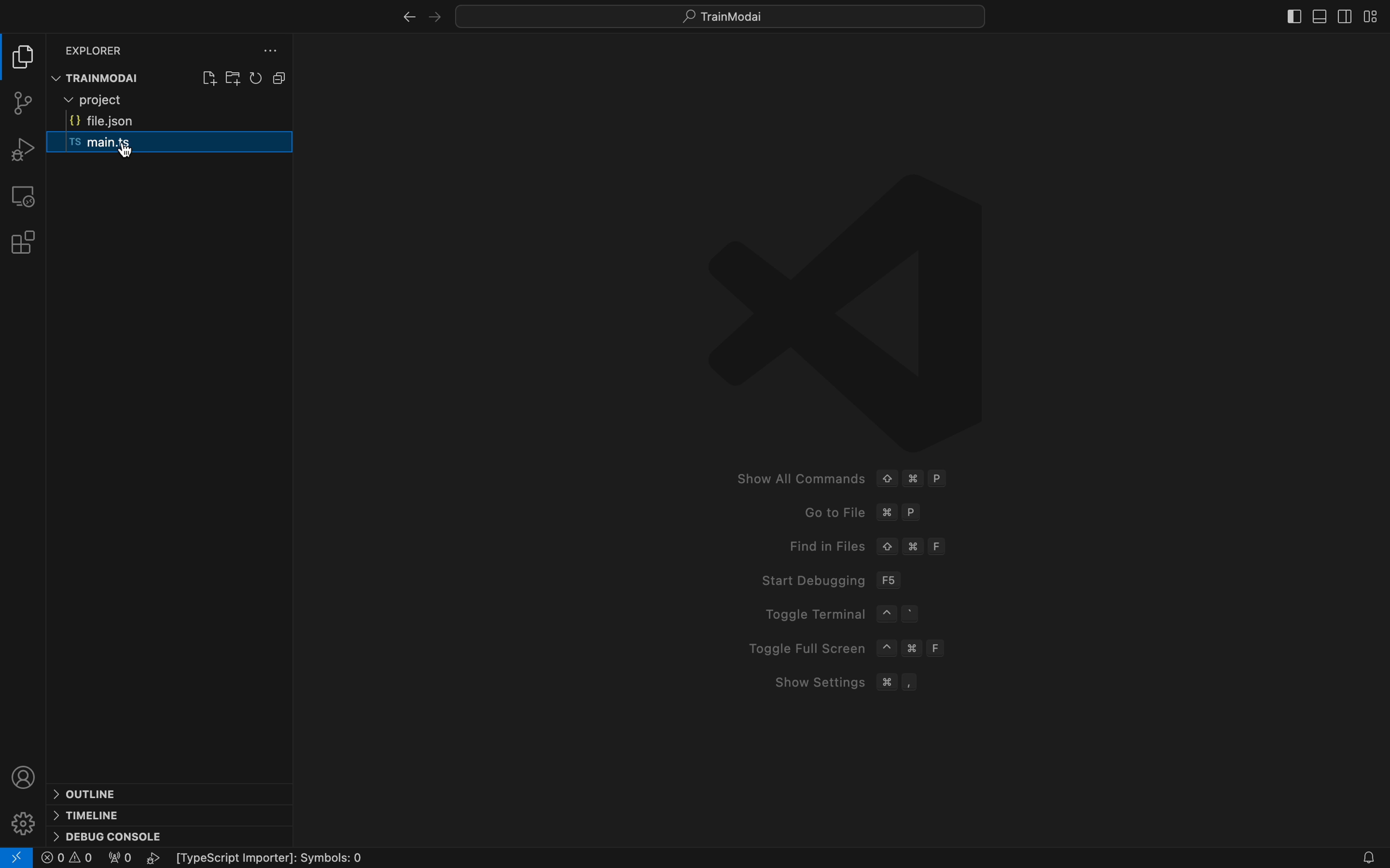 This screenshot has height=868, width=1390. Describe the element at coordinates (172, 143) in the screenshot. I see `ts main` at that location.